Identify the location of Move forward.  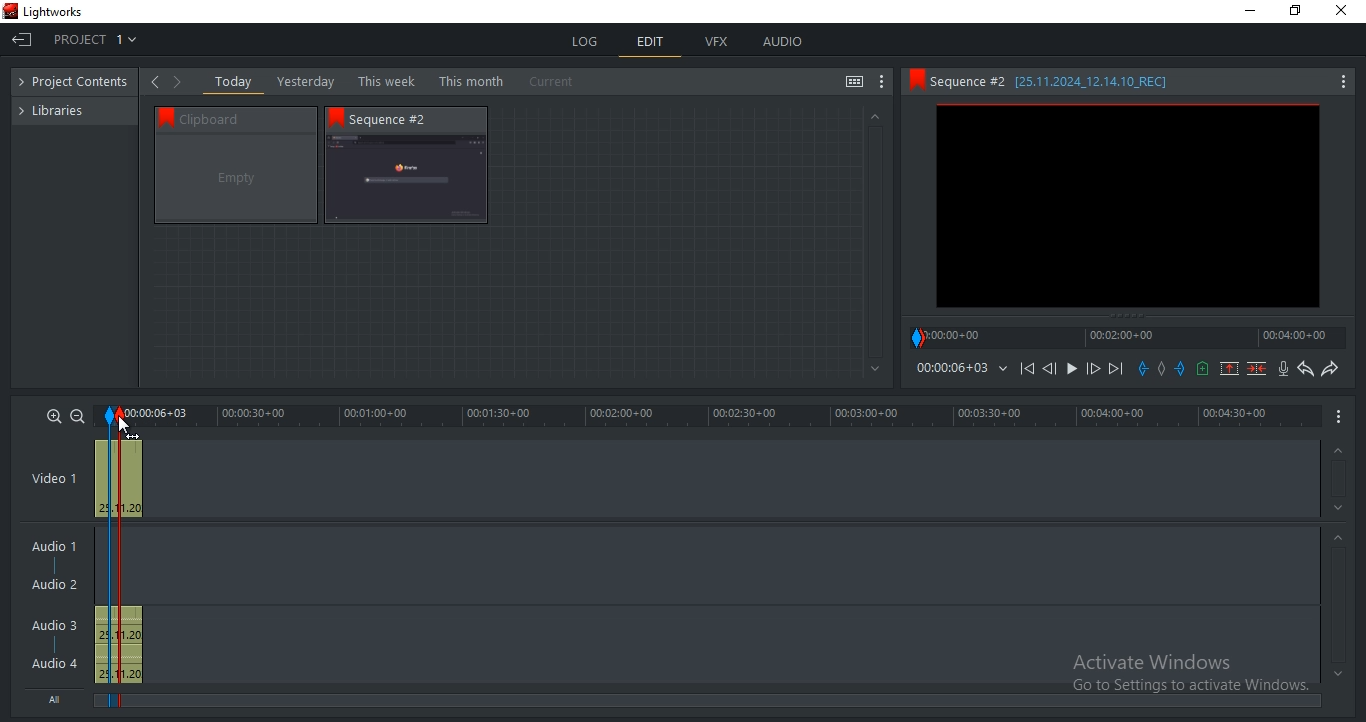
(1115, 369).